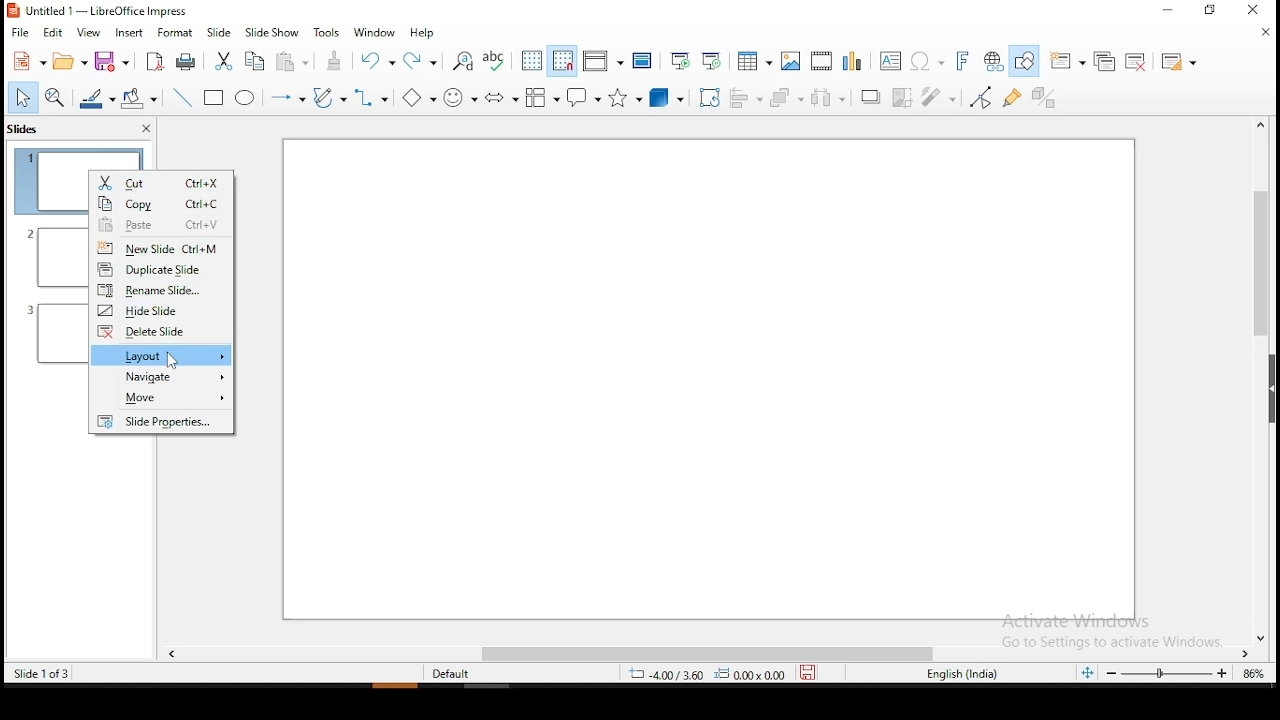 The height and width of the screenshot is (720, 1280). Describe the element at coordinates (109, 62) in the screenshot. I see `save` at that location.